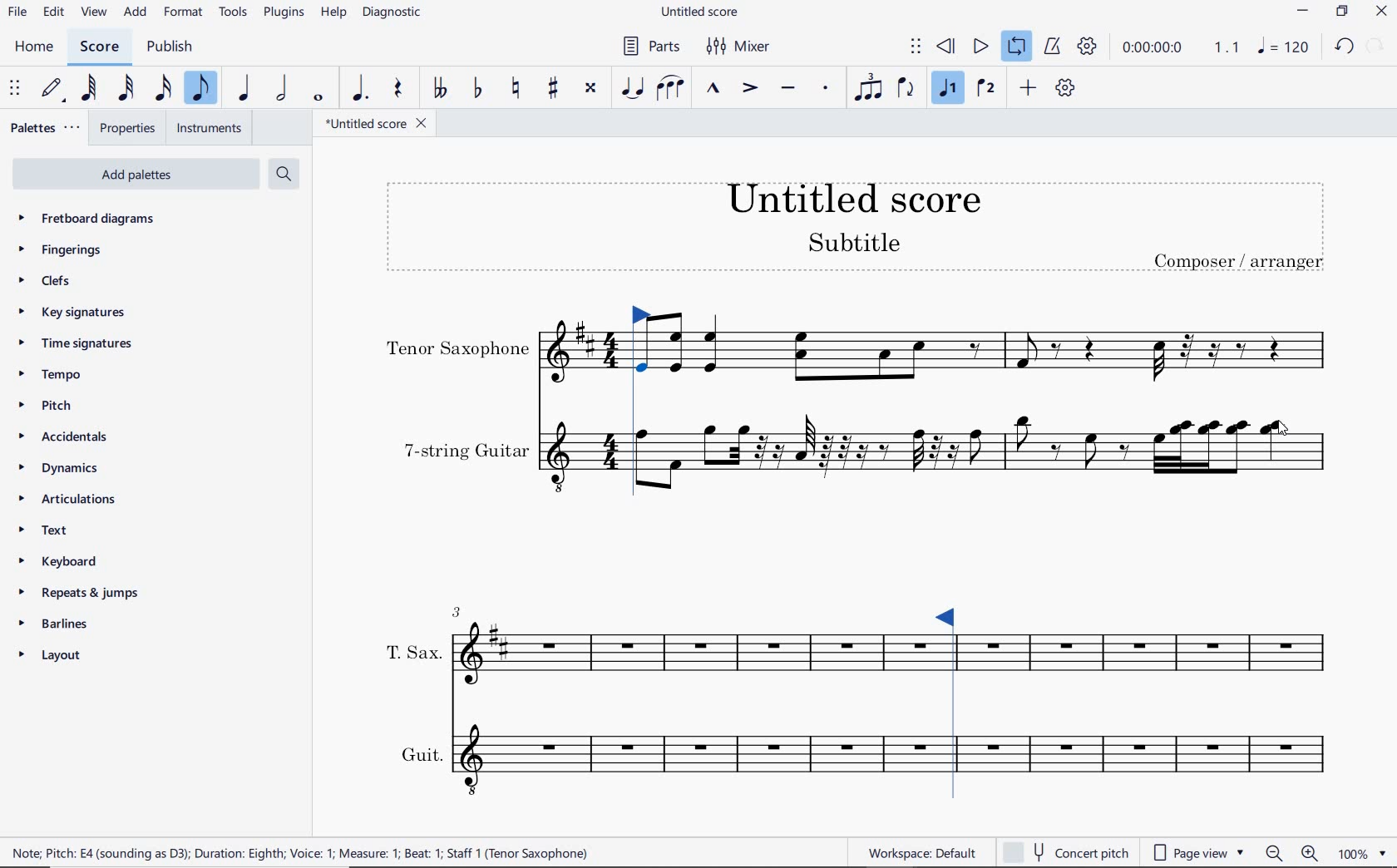 The height and width of the screenshot is (868, 1397). I want to click on QUARTER NOTE, so click(244, 88).